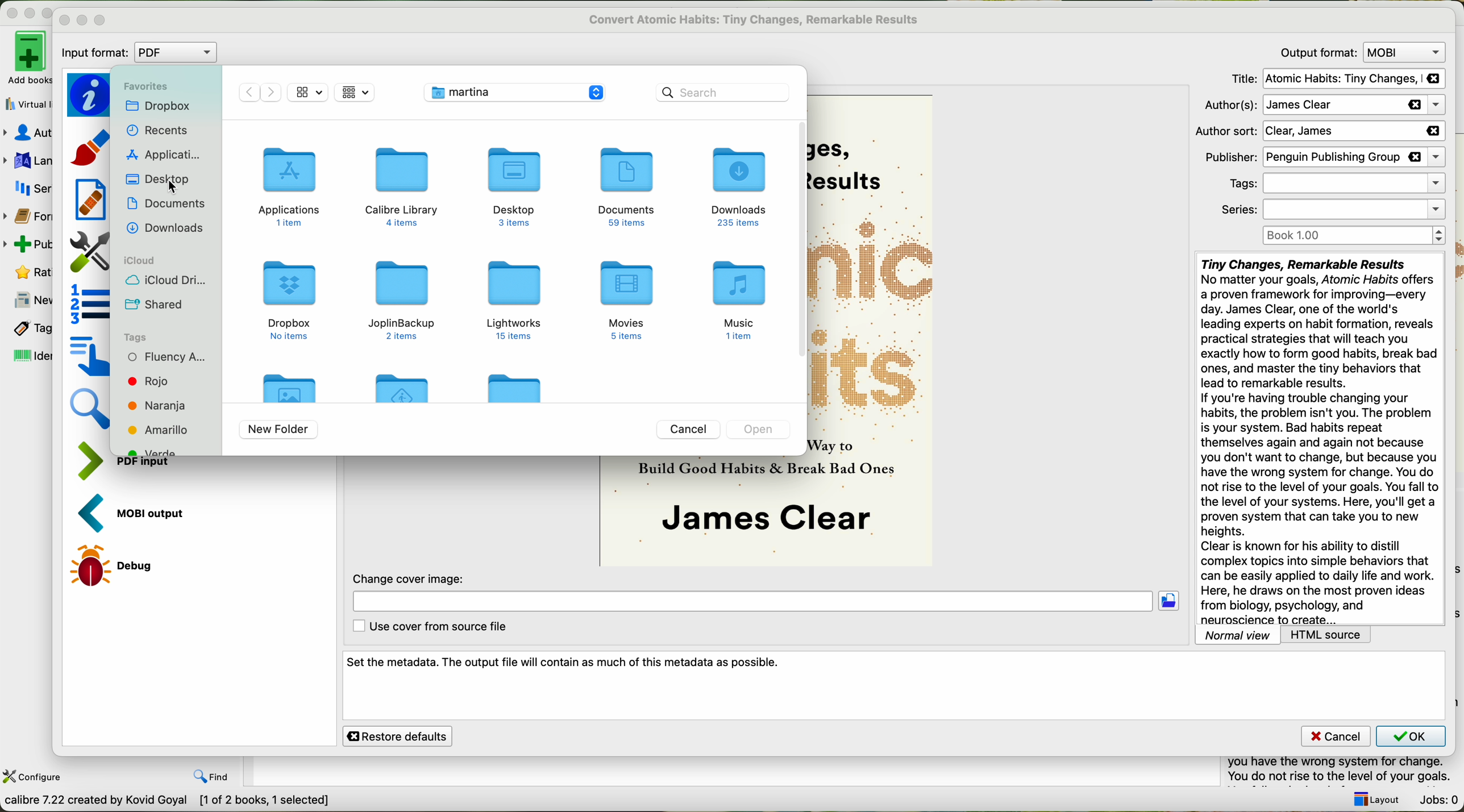 The image size is (1464, 812). I want to click on input format: PDF, so click(142, 53).